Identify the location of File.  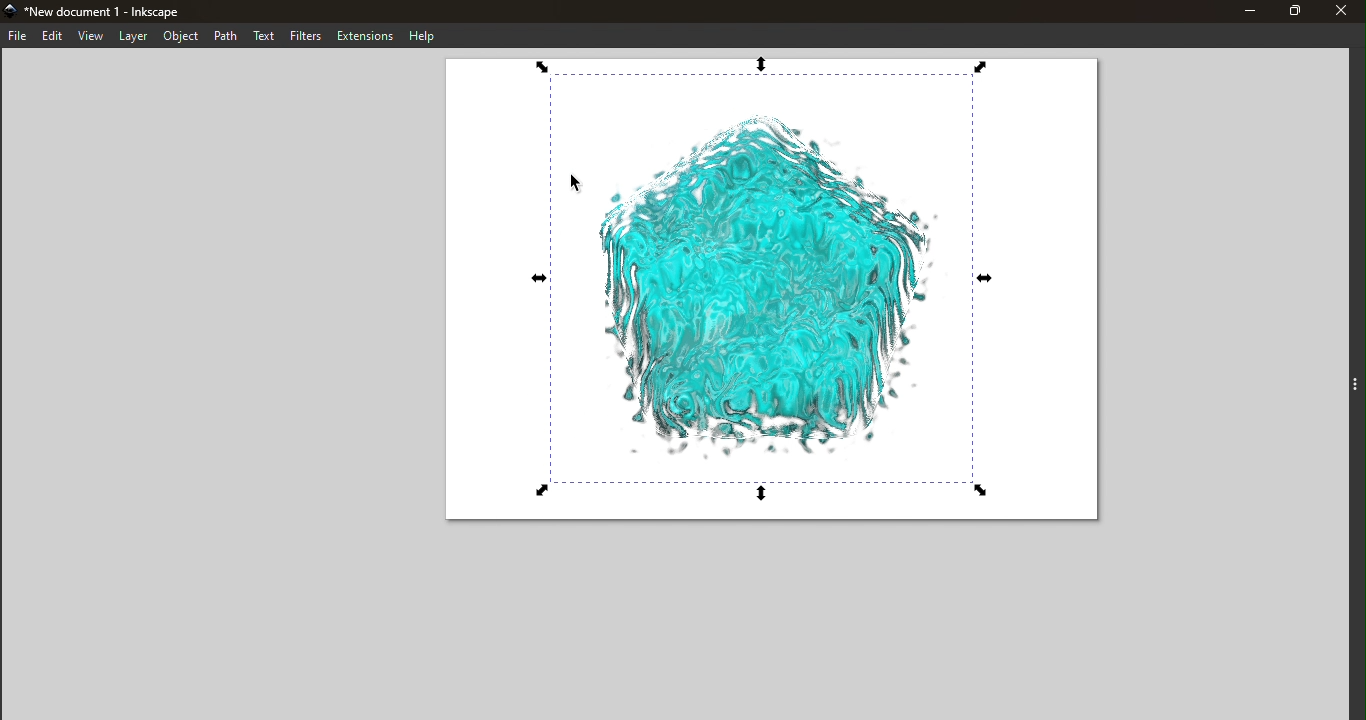
(17, 35).